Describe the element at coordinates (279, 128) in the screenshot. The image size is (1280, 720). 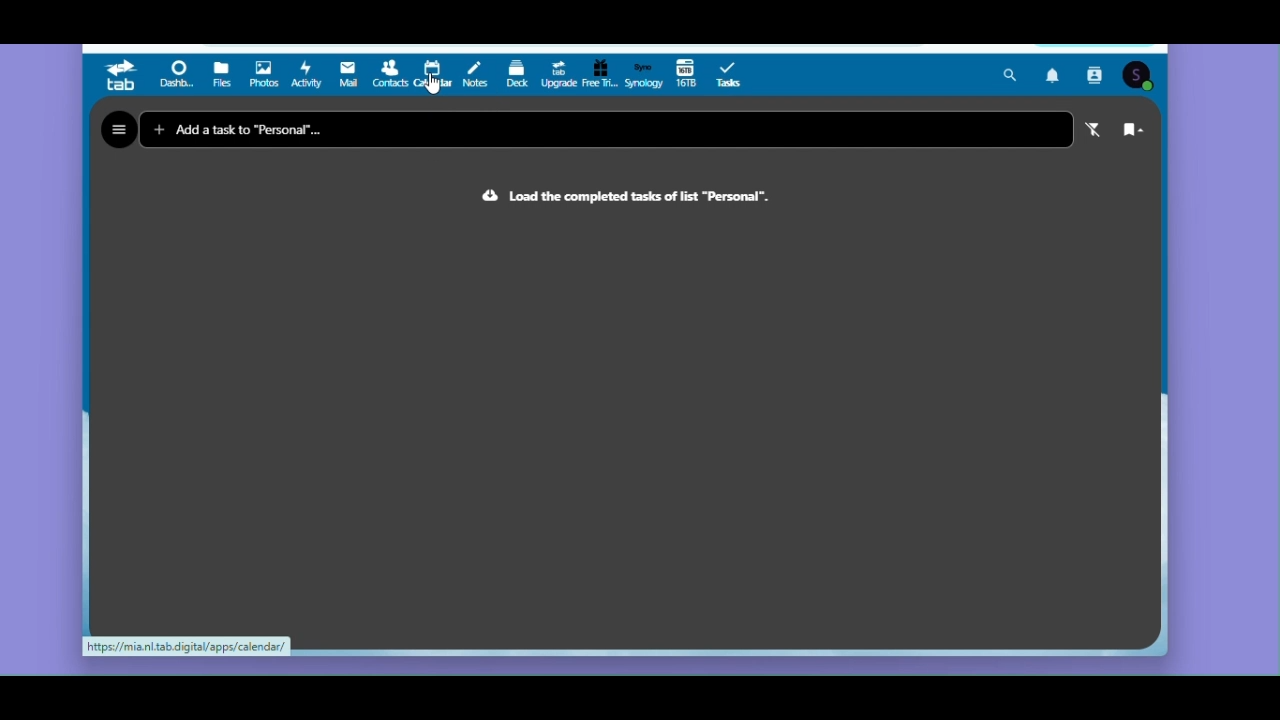
I see `Add a task to "Personal"...` at that location.